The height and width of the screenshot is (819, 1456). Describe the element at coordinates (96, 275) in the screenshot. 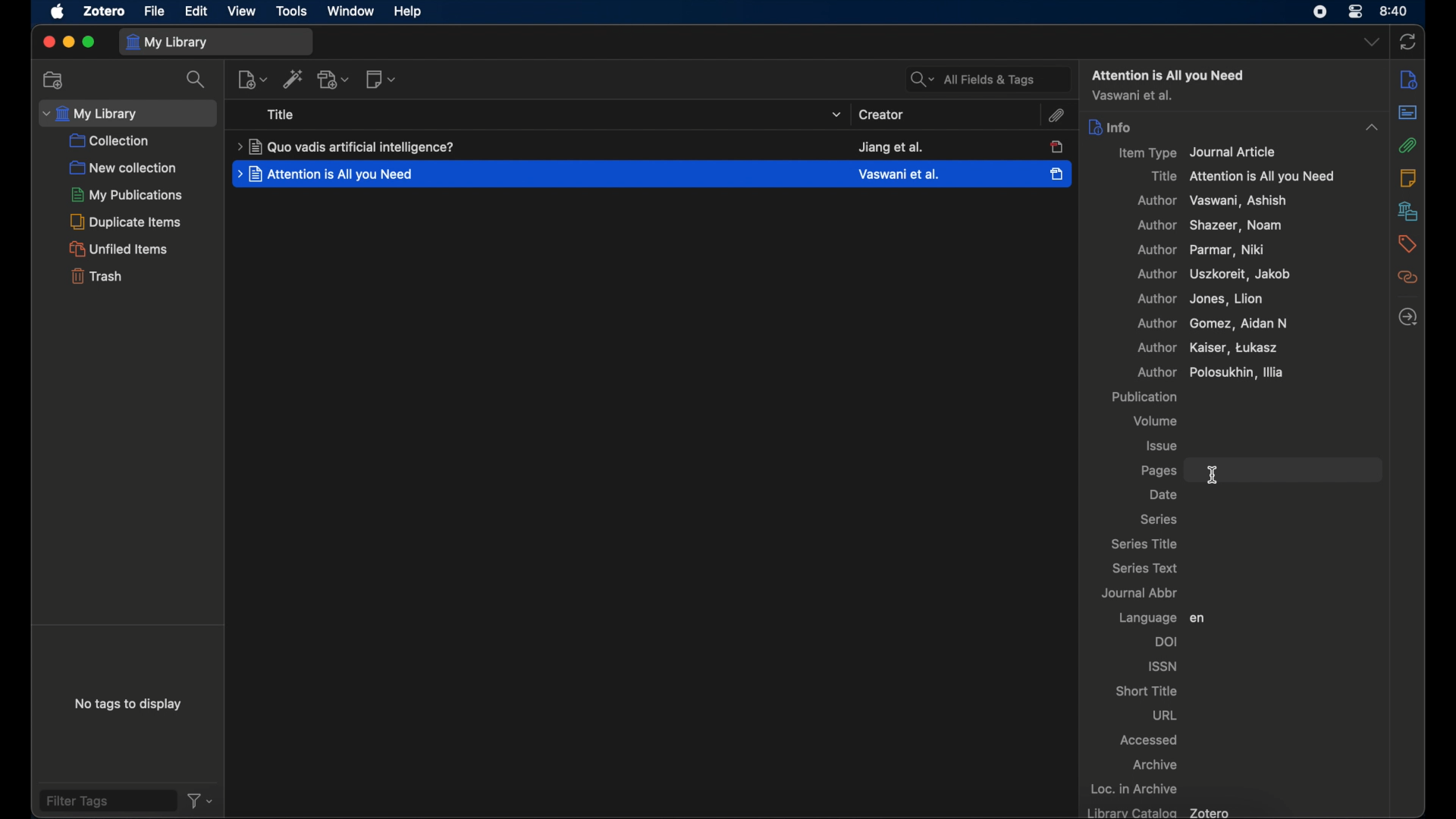

I see `trash` at that location.